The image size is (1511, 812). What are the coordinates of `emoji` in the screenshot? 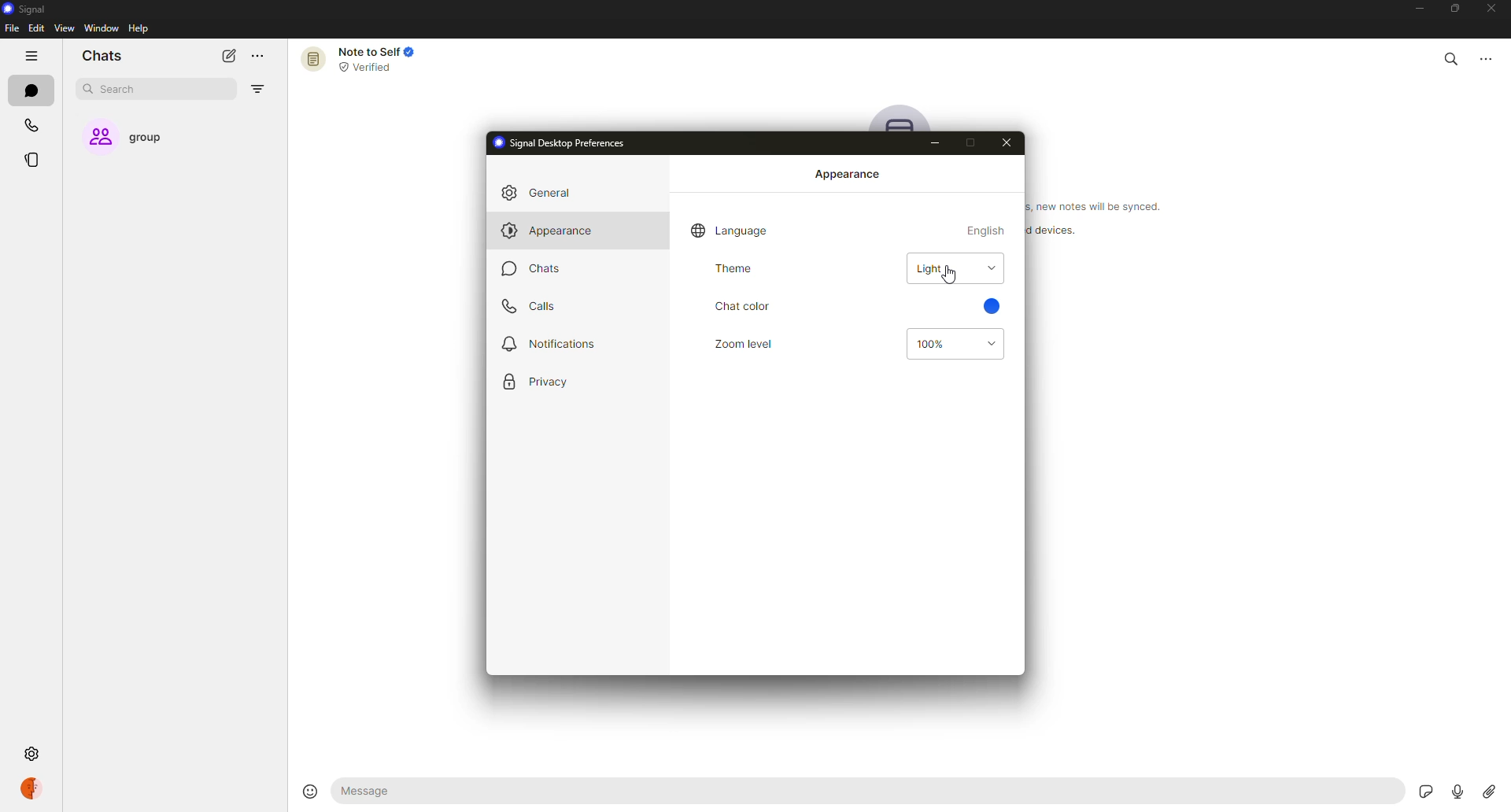 It's located at (305, 789).